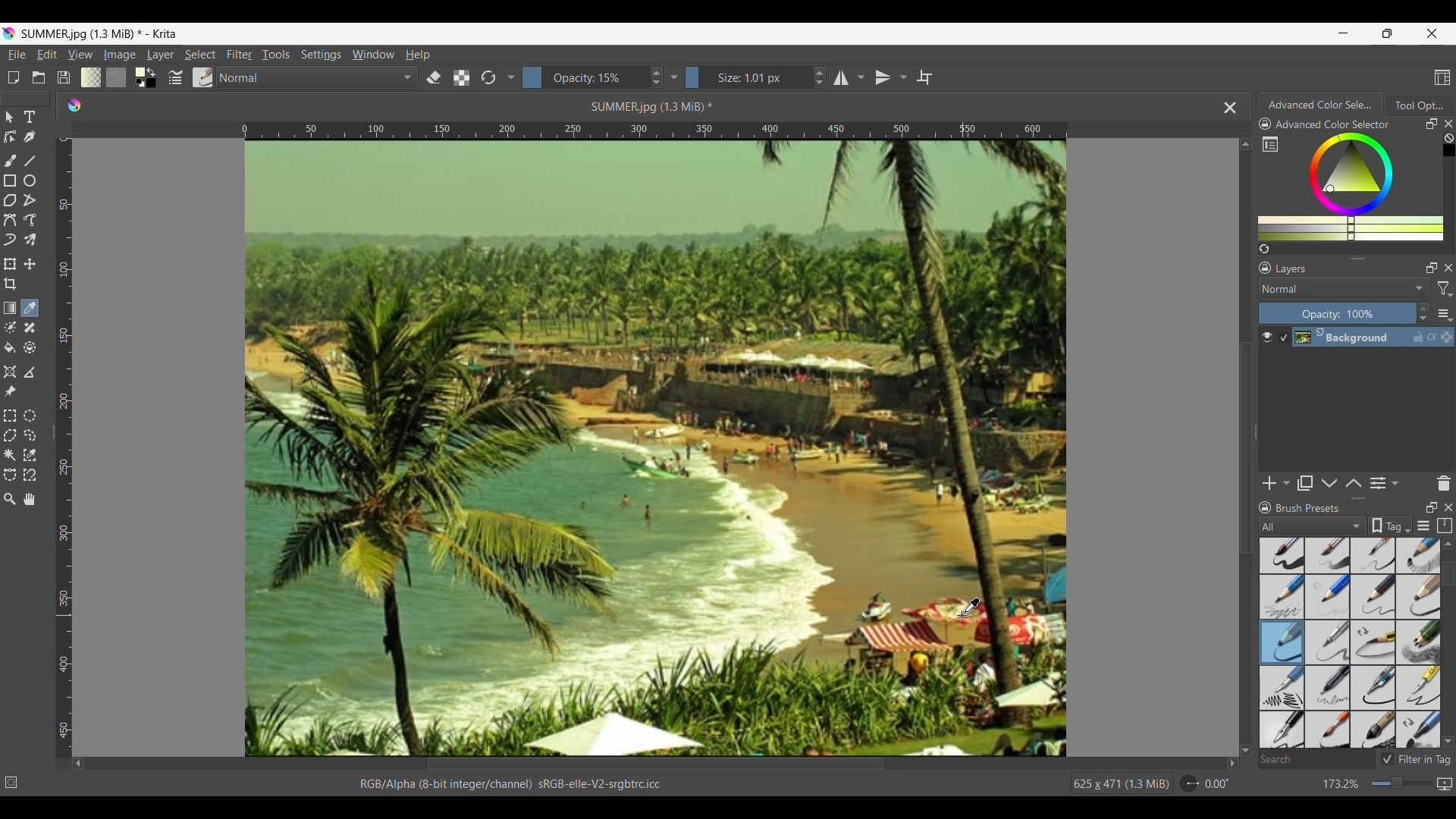 The width and height of the screenshot is (1456, 819). I want to click on Rectangle tool, so click(11, 180).